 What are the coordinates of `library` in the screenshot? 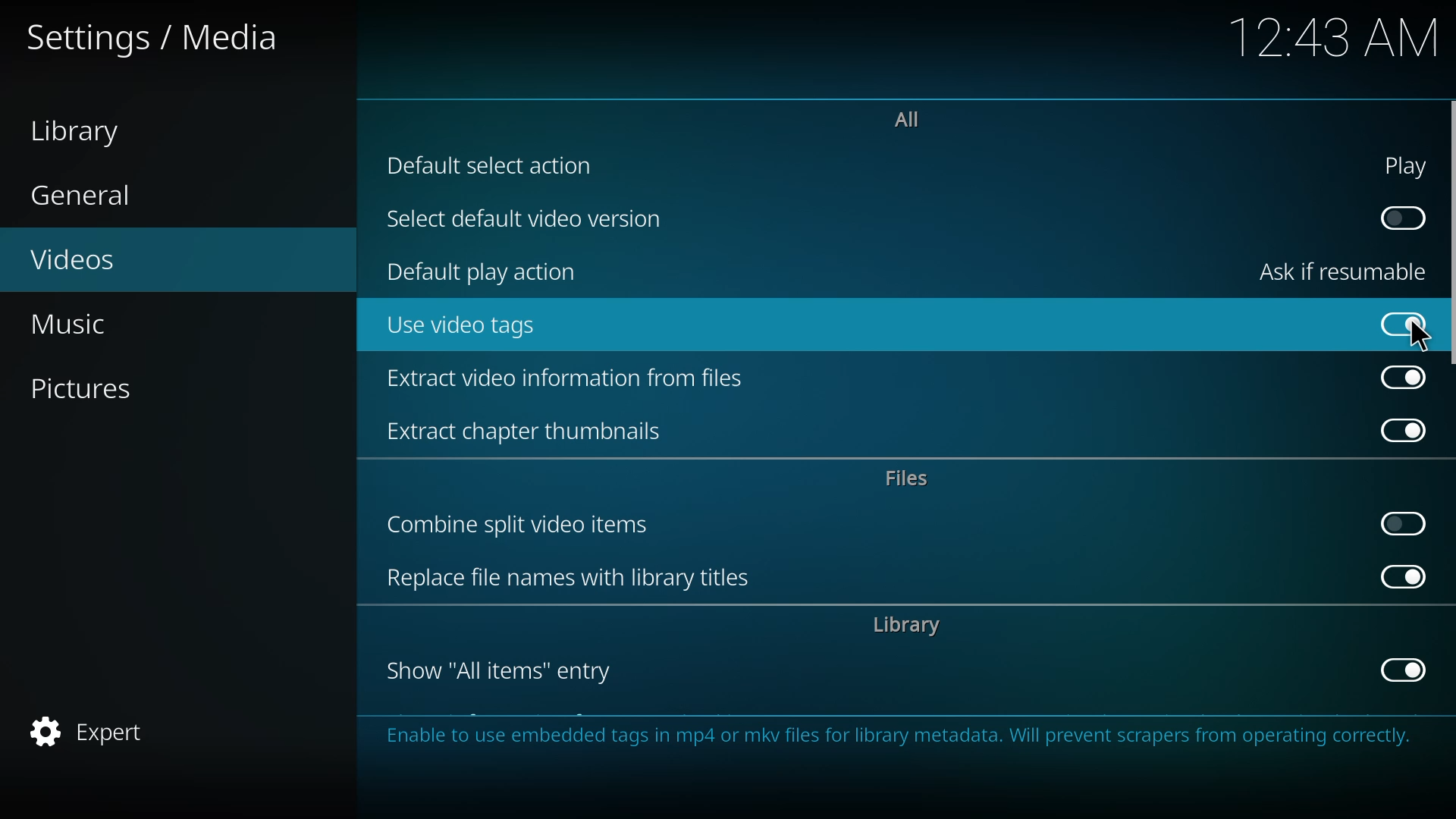 It's located at (911, 626).